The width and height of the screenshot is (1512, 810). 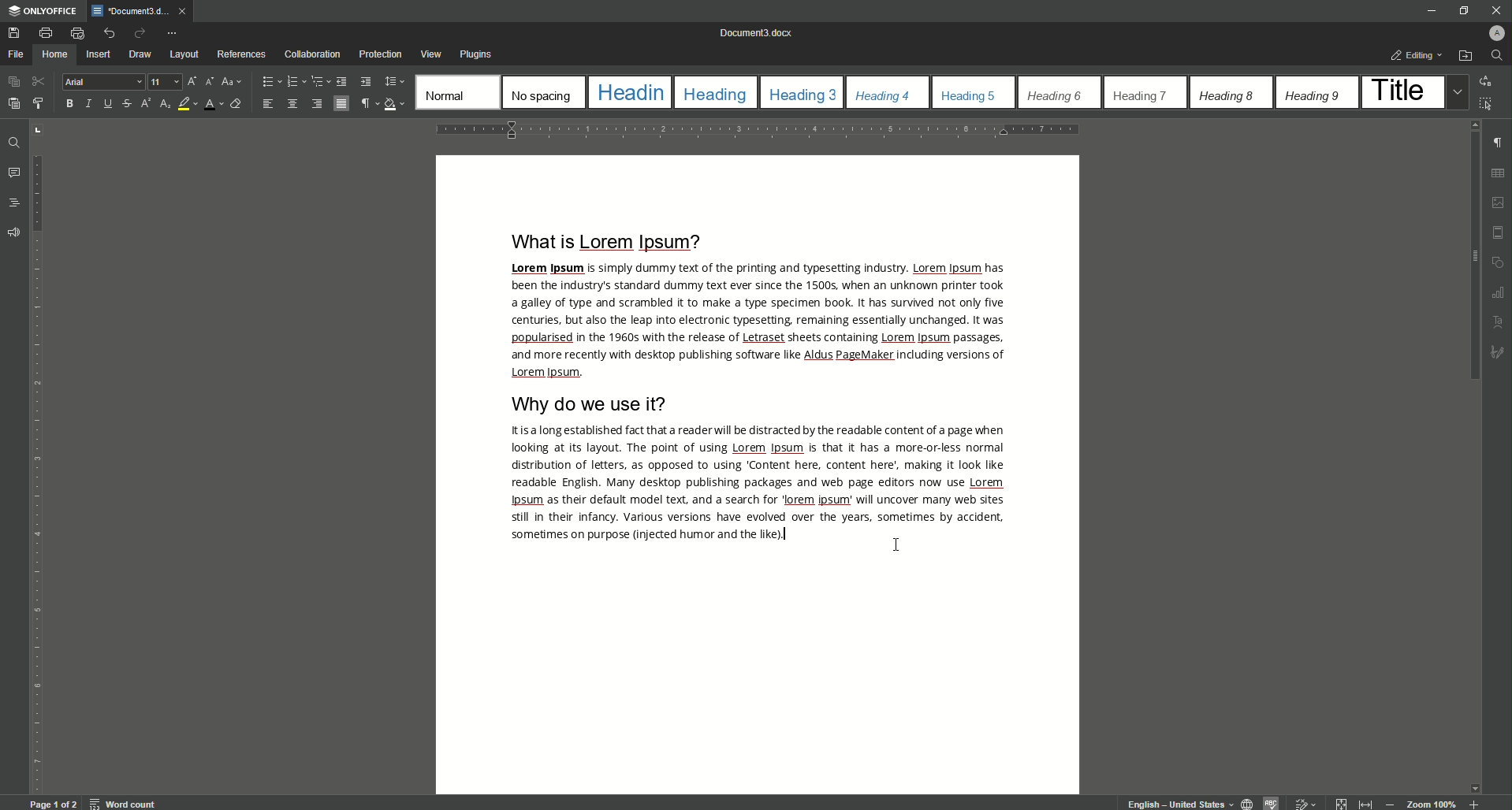 What do you see at coordinates (10, 141) in the screenshot?
I see `Find` at bounding box center [10, 141].